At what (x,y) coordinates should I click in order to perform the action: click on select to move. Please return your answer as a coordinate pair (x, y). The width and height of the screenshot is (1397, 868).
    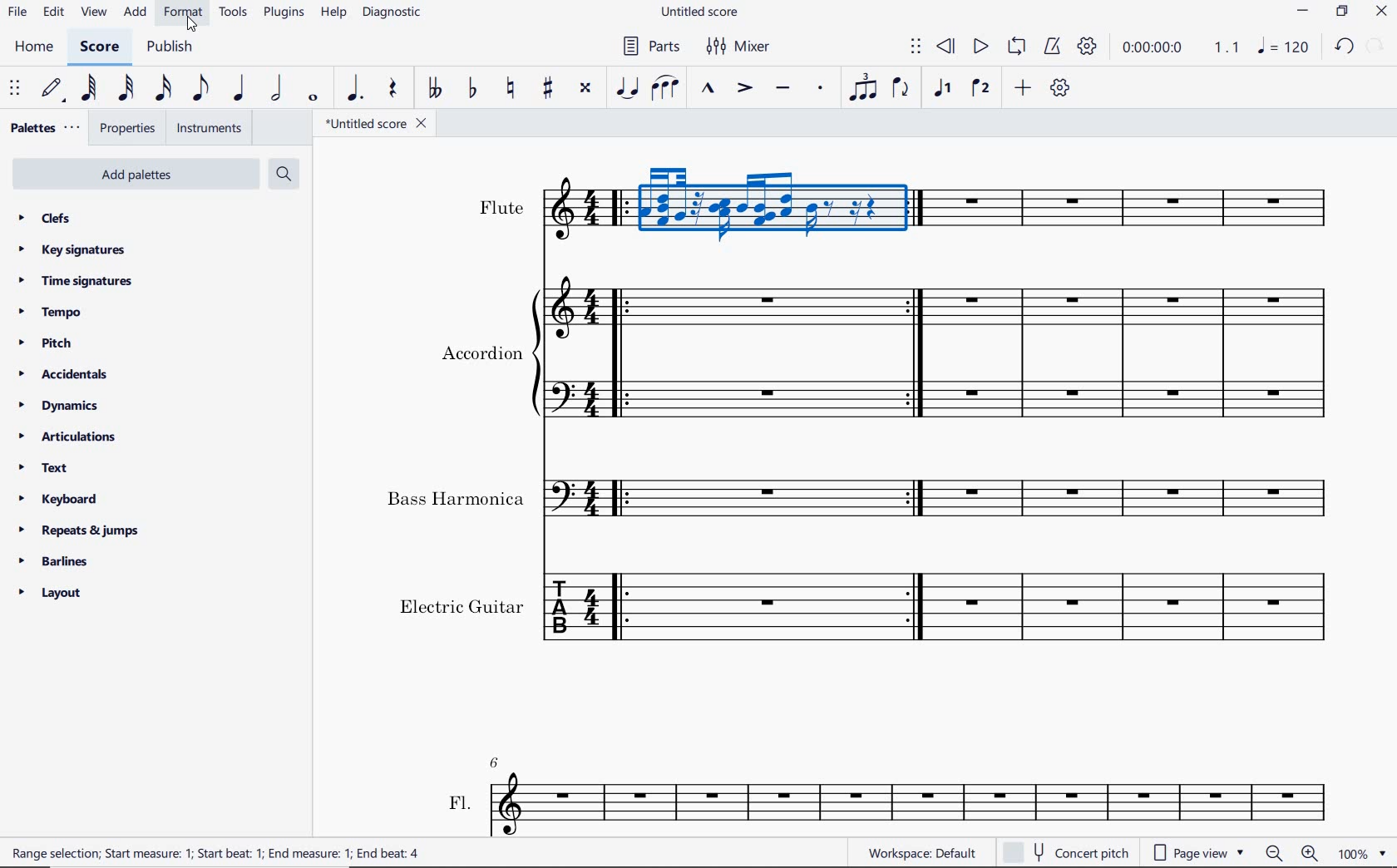
    Looking at the image, I should click on (916, 48).